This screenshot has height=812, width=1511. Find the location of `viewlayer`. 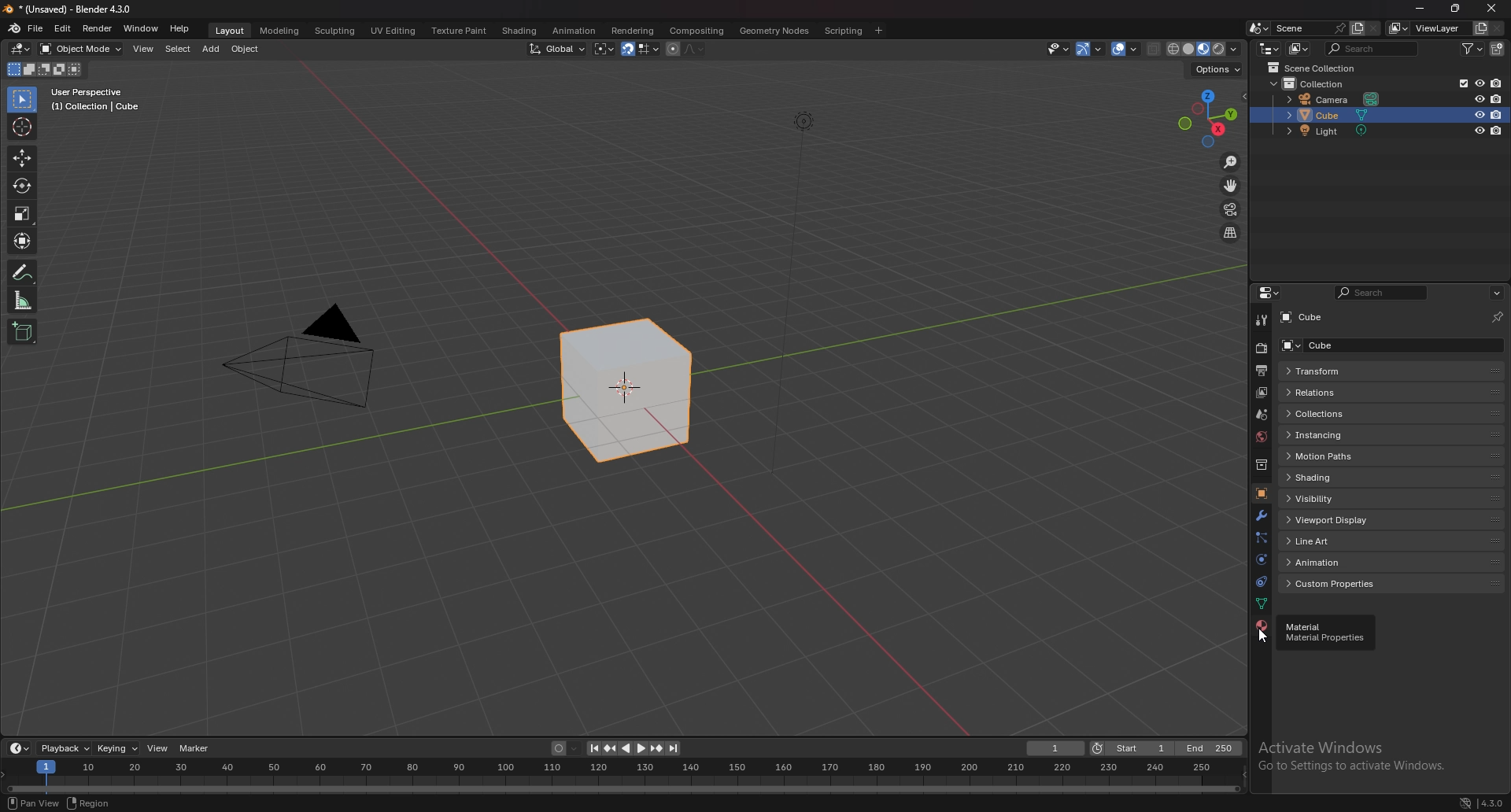

viewlayer is located at coordinates (1263, 393).